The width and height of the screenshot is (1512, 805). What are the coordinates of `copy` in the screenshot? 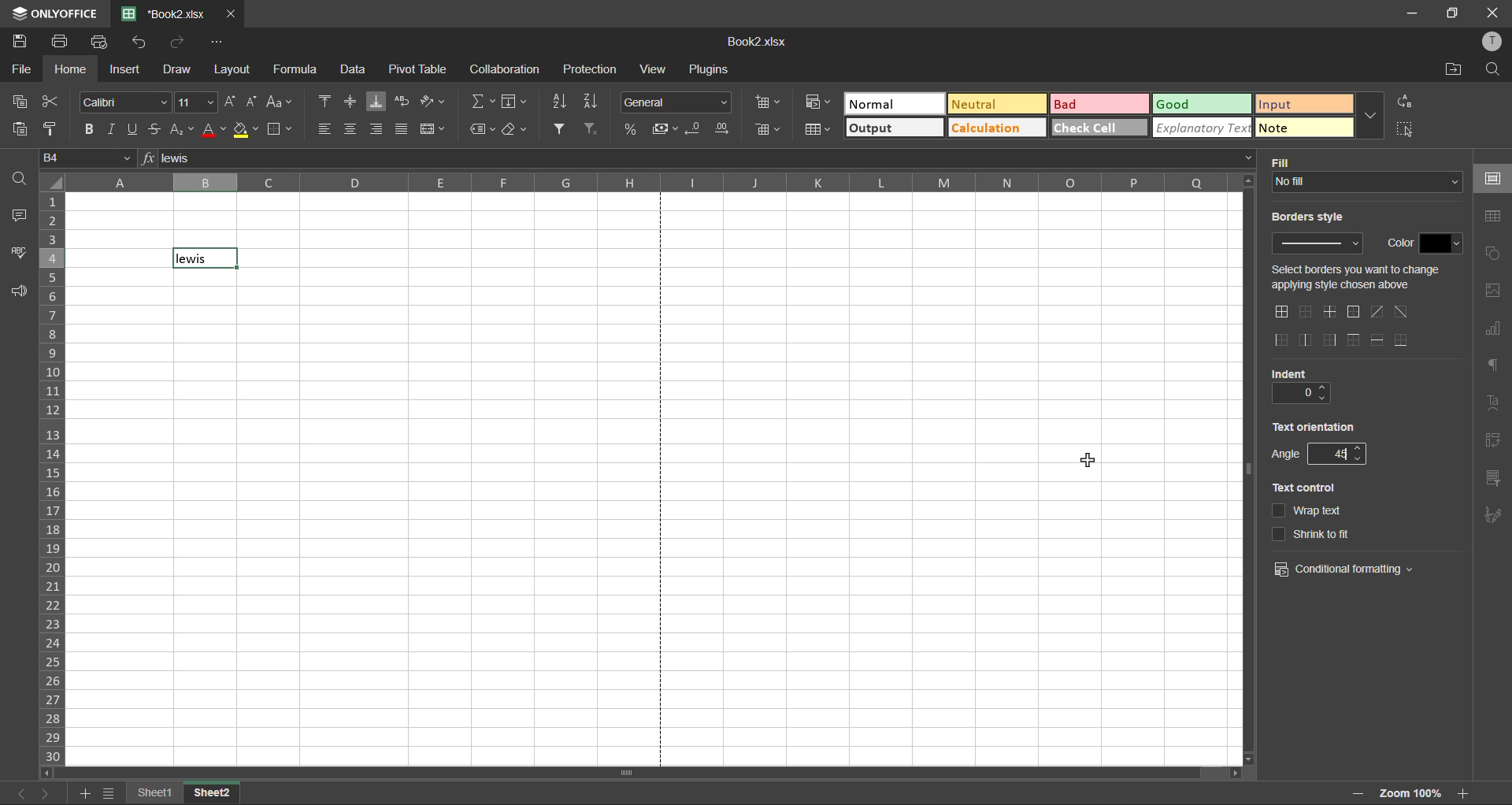 It's located at (23, 102).